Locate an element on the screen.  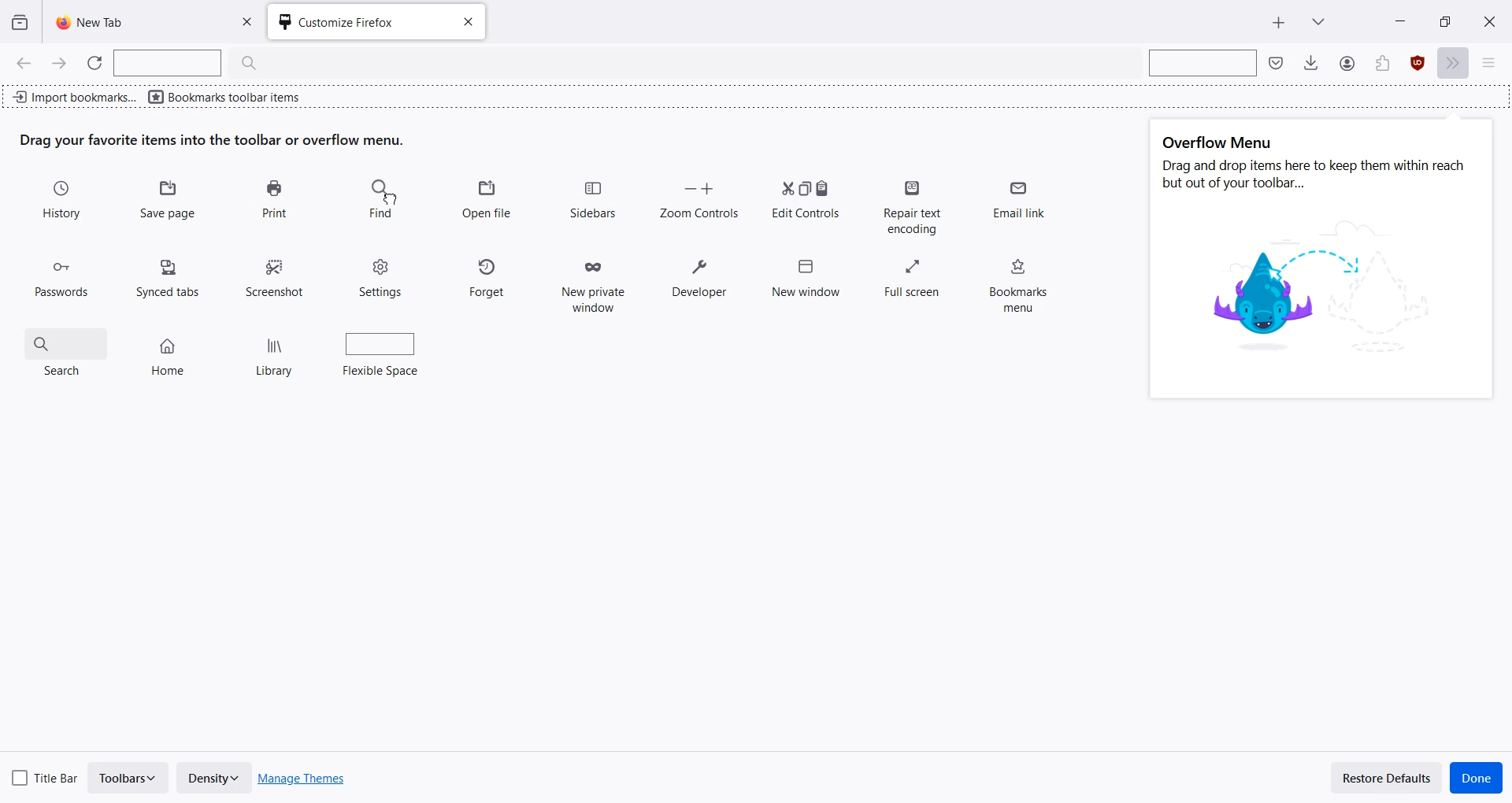
Search is located at coordinates (65, 350).